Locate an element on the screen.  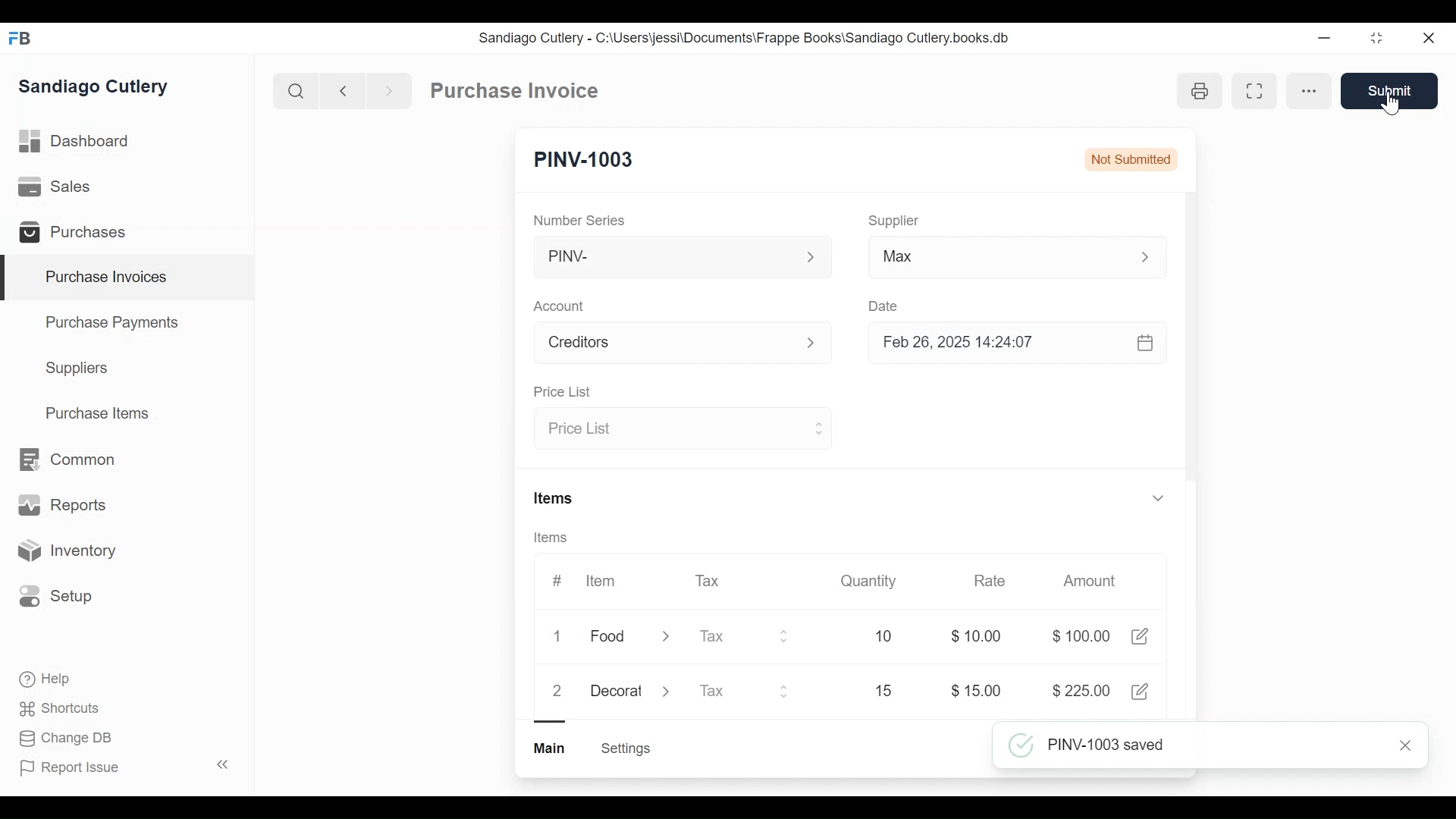
# is located at coordinates (557, 580).